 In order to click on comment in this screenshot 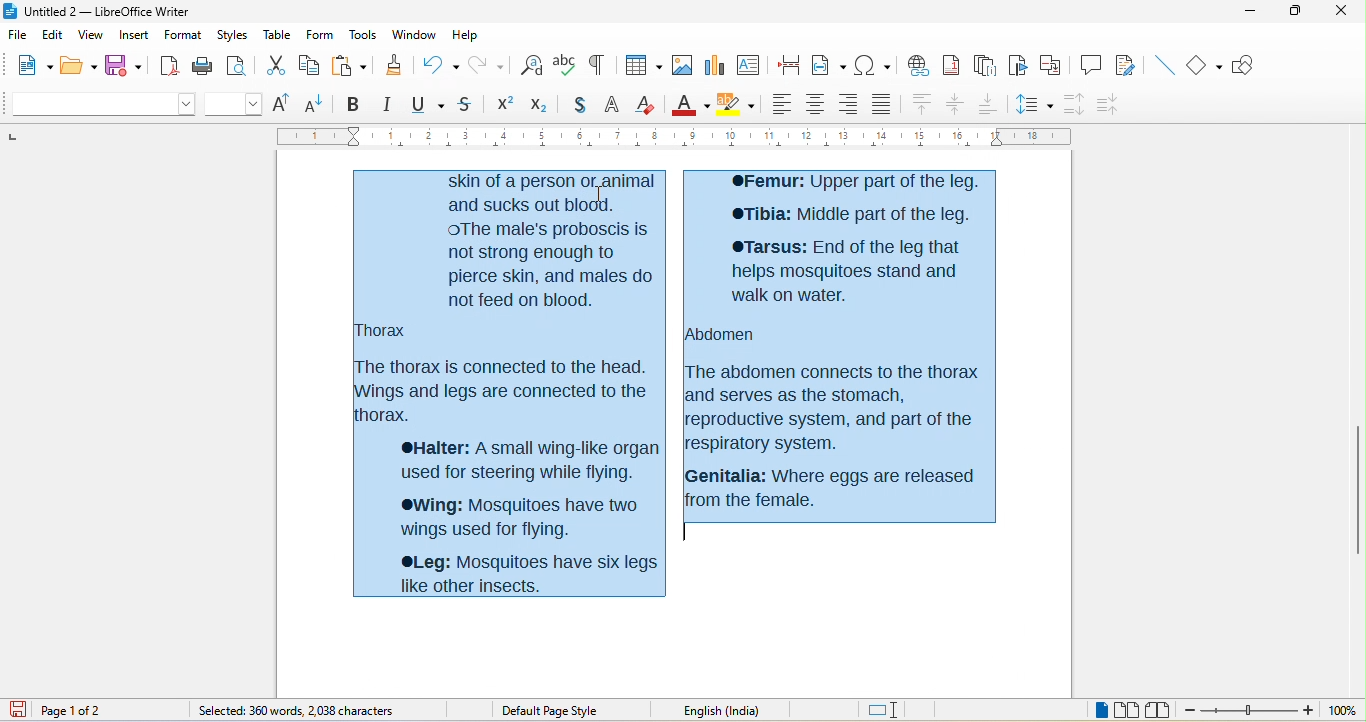, I will do `click(1090, 64)`.